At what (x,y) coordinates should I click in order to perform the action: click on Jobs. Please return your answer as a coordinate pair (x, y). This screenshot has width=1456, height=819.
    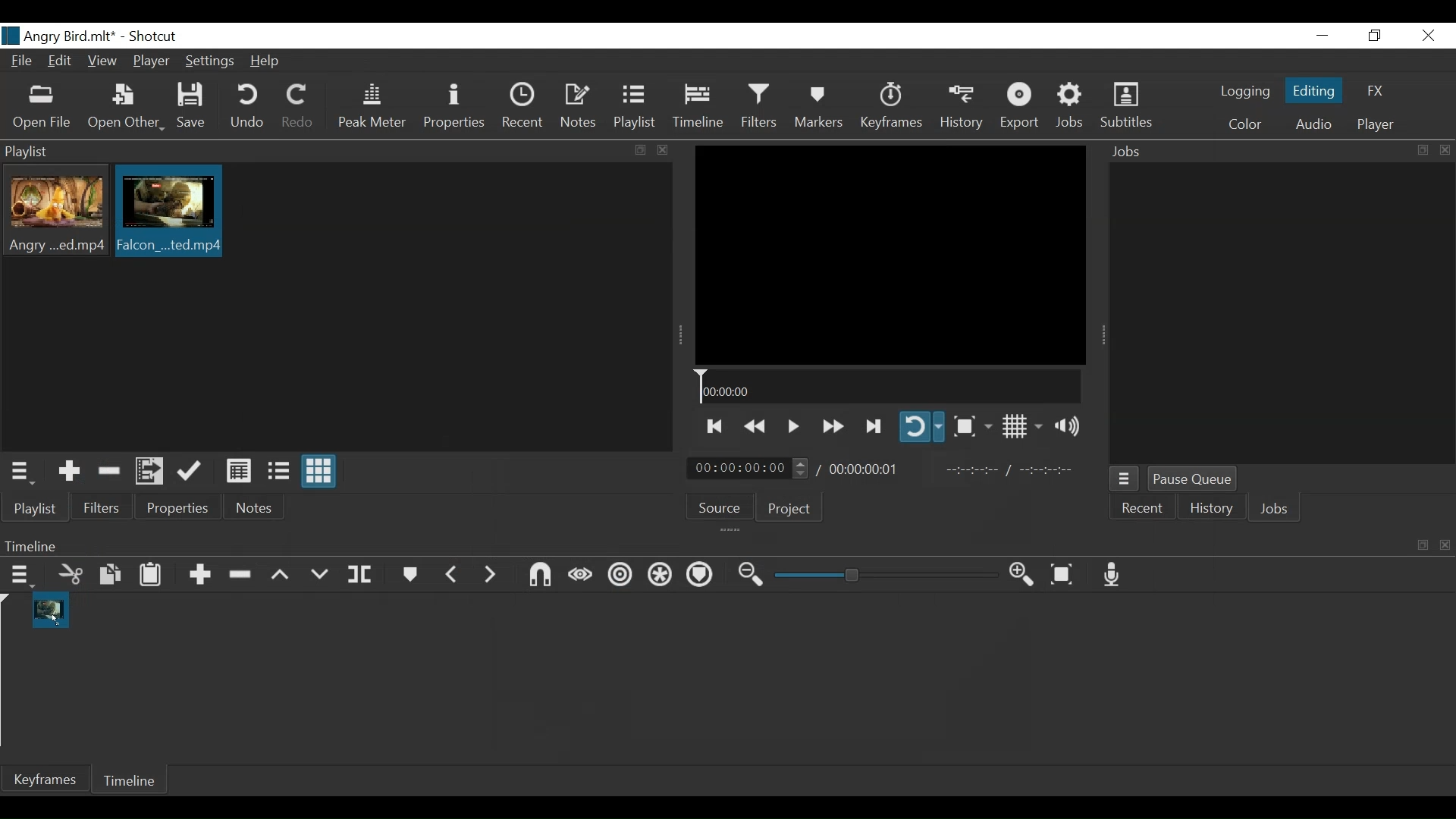
    Looking at the image, I should click on (1275, 510).